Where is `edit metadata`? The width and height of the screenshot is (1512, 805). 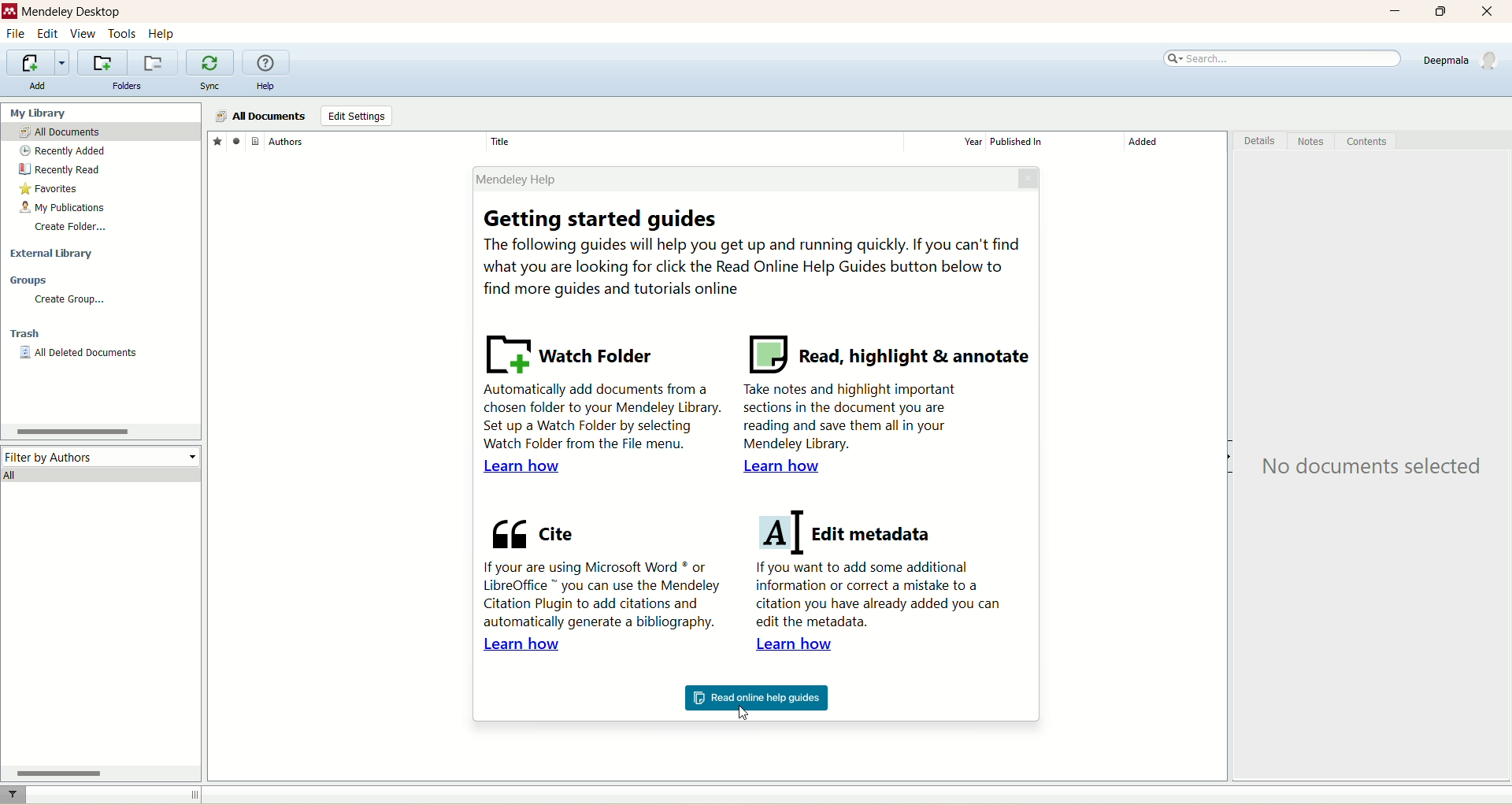
edit metadata is located at coordinates (848, 533).